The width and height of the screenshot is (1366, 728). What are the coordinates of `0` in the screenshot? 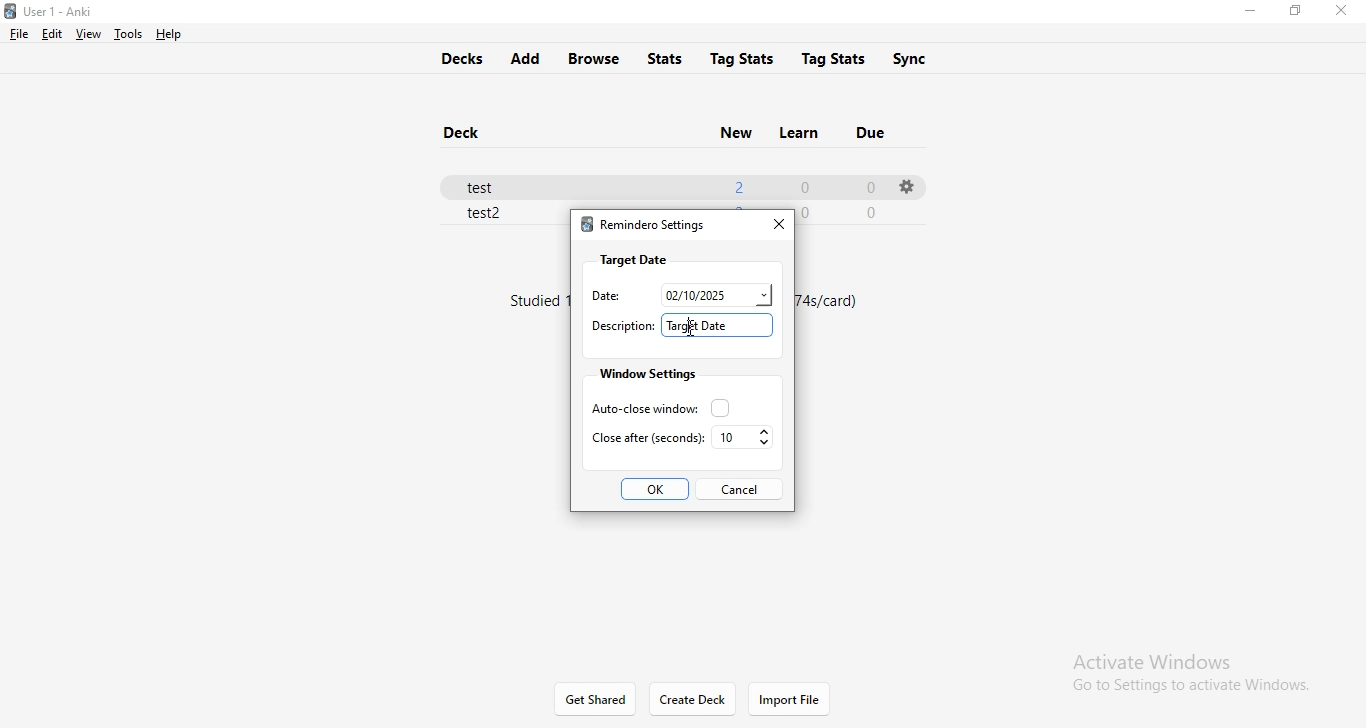 It's located at (869, 188).